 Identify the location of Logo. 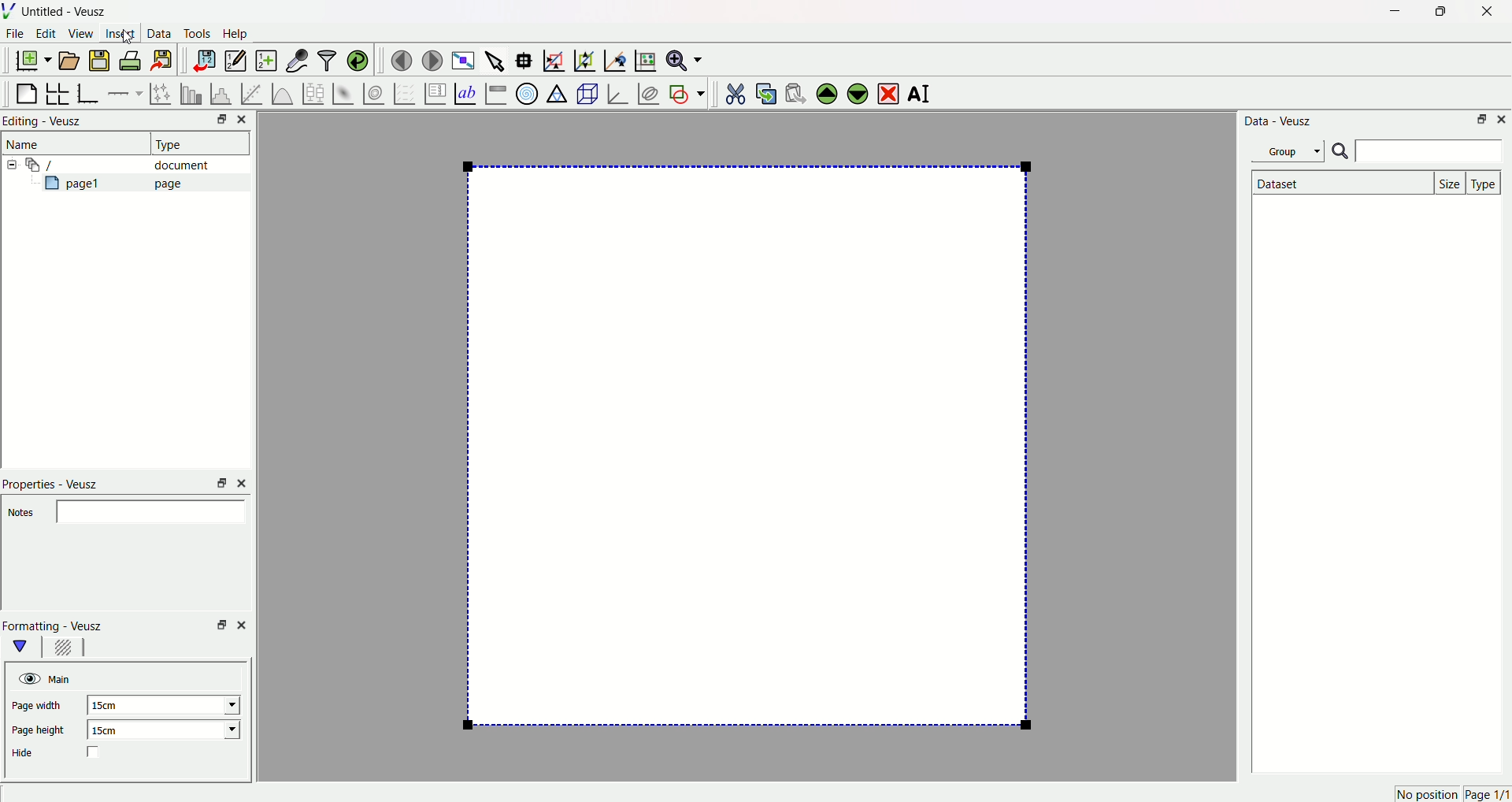
(12, 12).